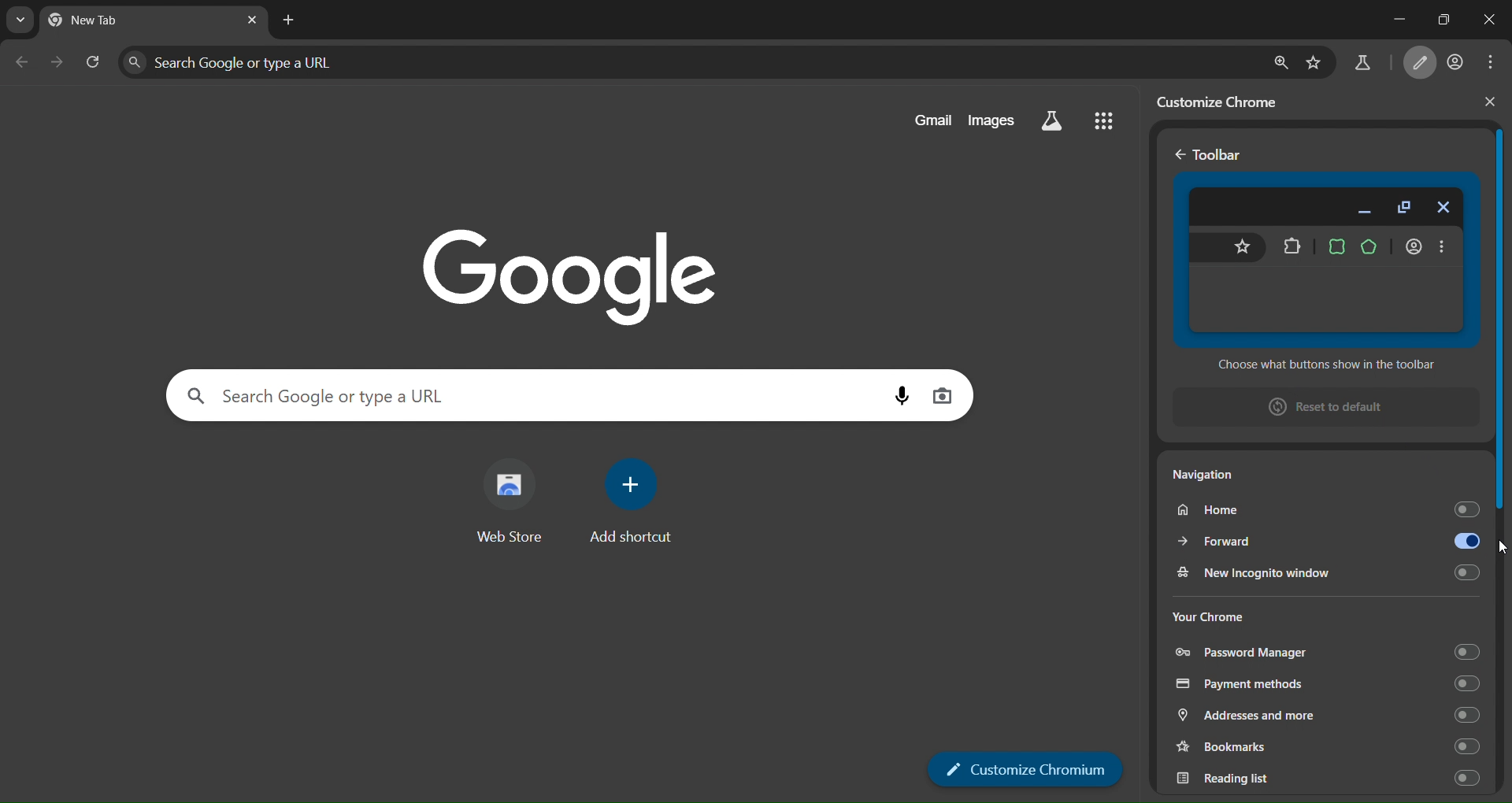 This screenshot has width=1512, height=803. I want to click on restore down, so click(1437, 18).